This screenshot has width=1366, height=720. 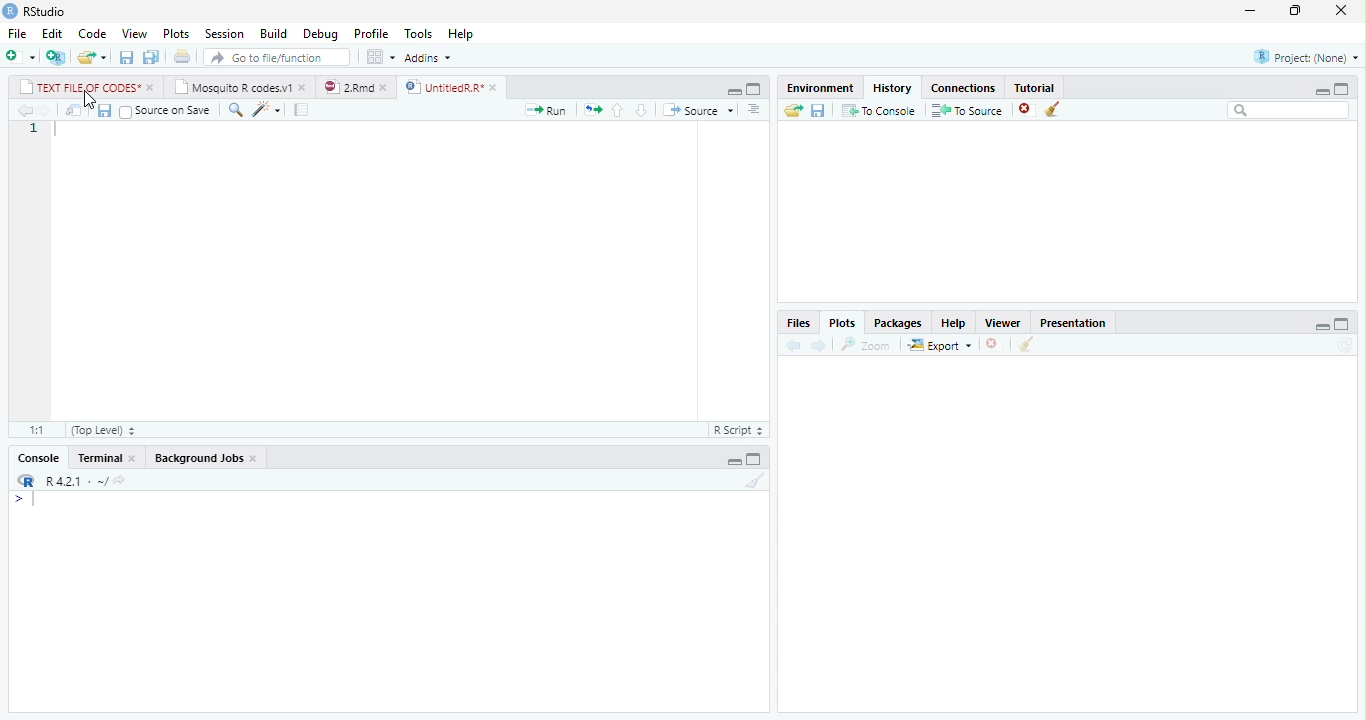 I want to click on options, so click(x=380, y=57).